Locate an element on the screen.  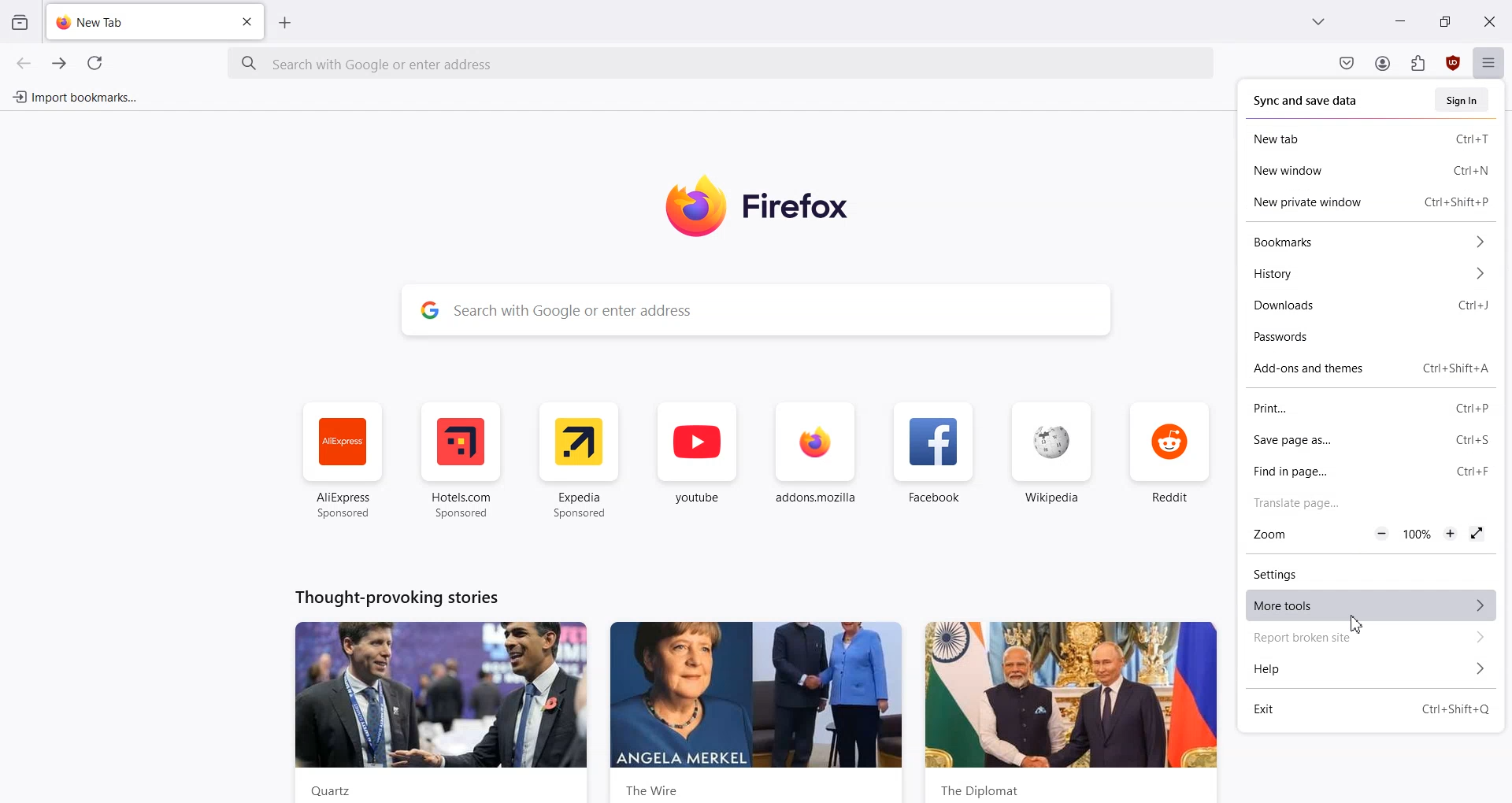
cursor is located at coordinates (1354, 627).